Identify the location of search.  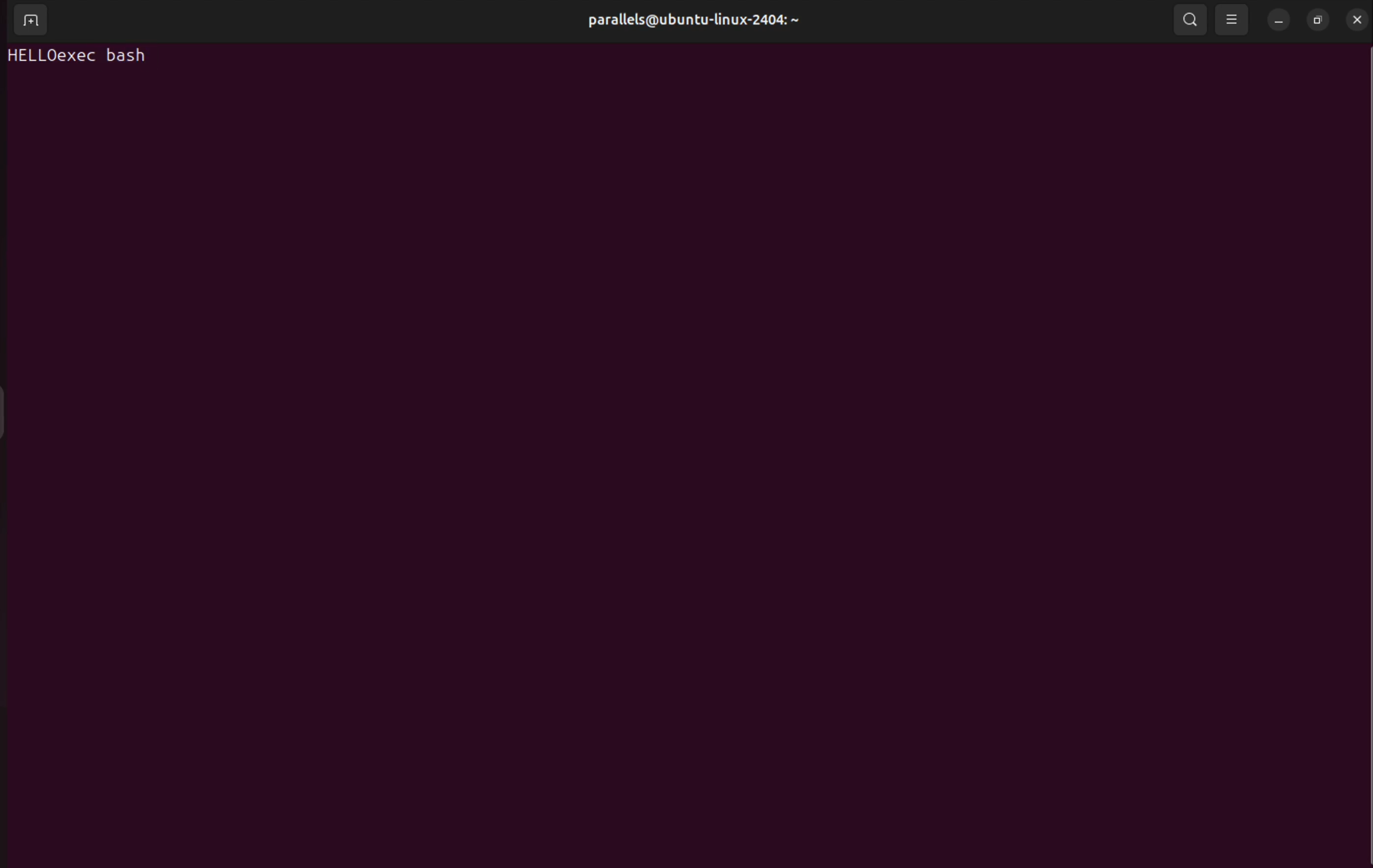
(1187, 20).